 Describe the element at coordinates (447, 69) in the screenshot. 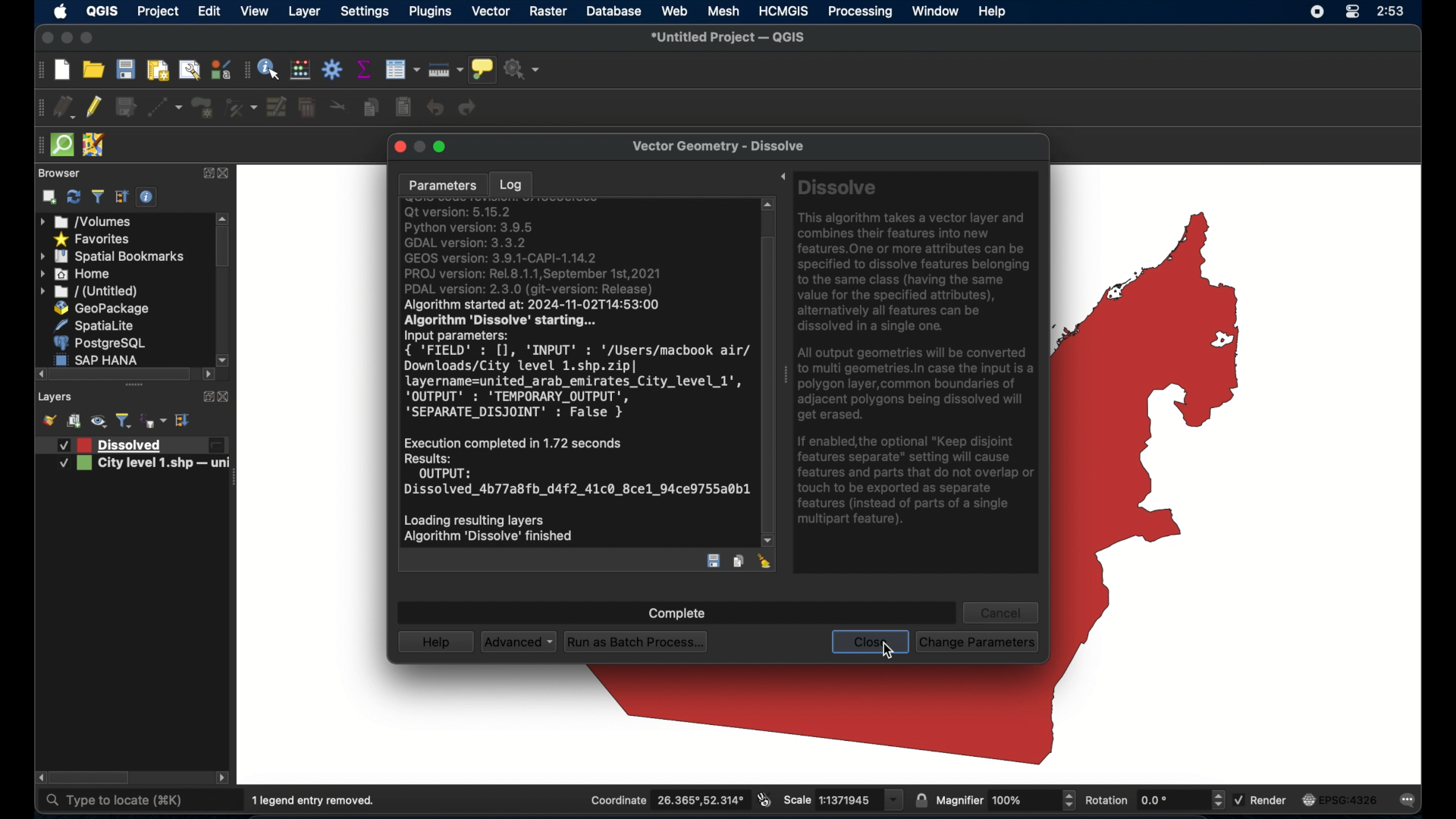

I see `measure line` at that location.